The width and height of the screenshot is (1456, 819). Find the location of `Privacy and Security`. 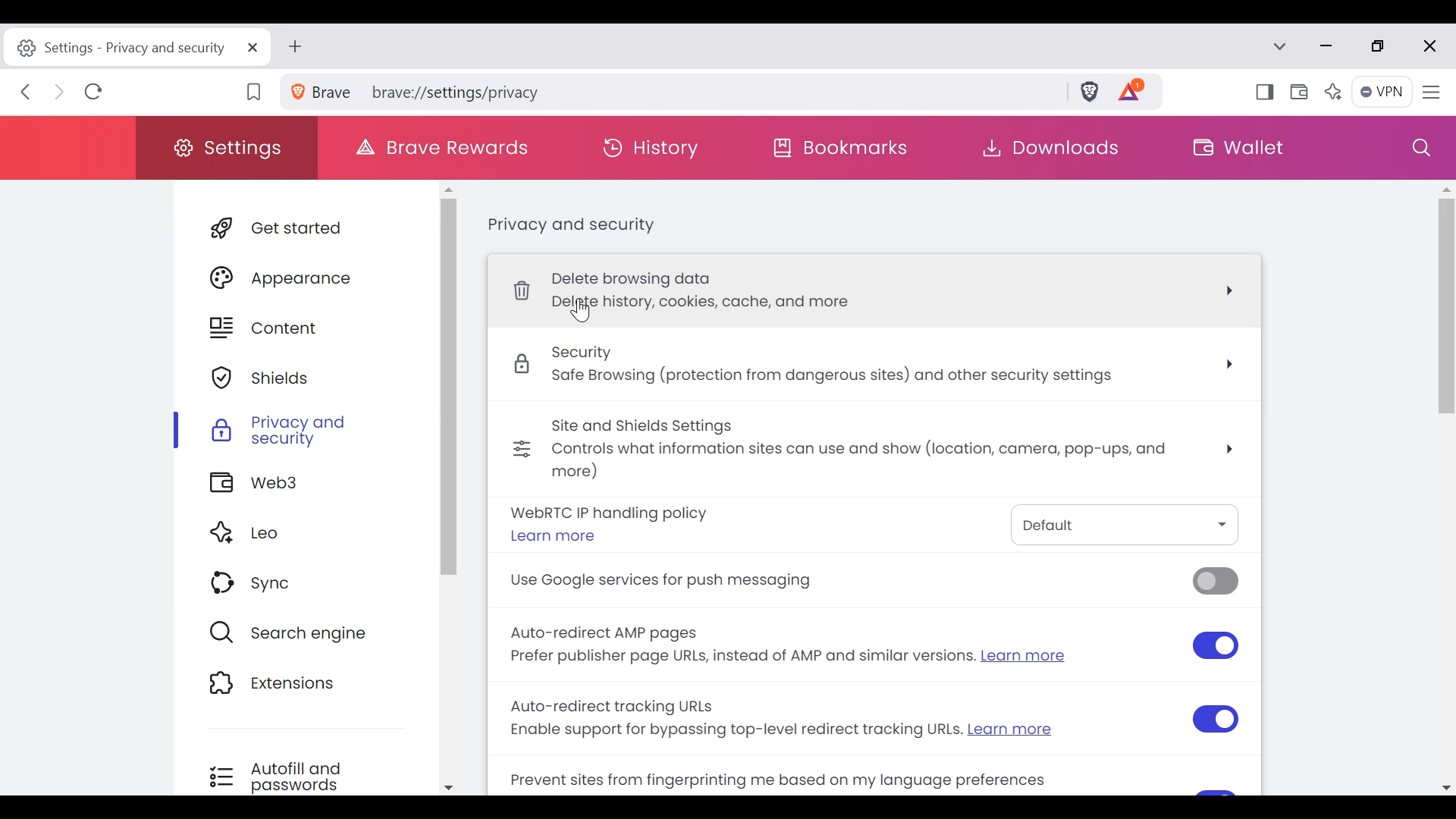

Privacy and Security is located at coordinates (303, 431).